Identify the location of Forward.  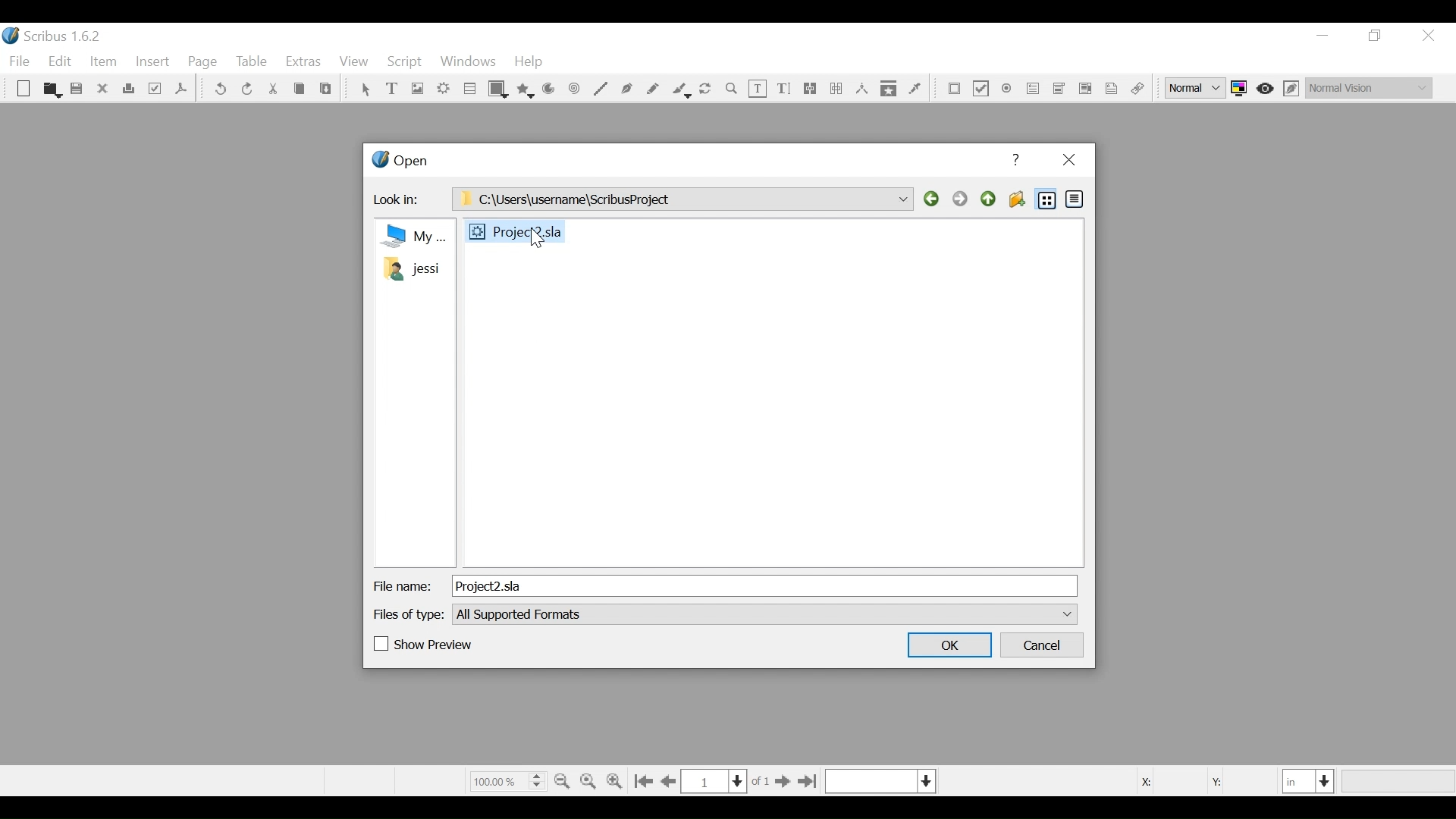
(962, 199).